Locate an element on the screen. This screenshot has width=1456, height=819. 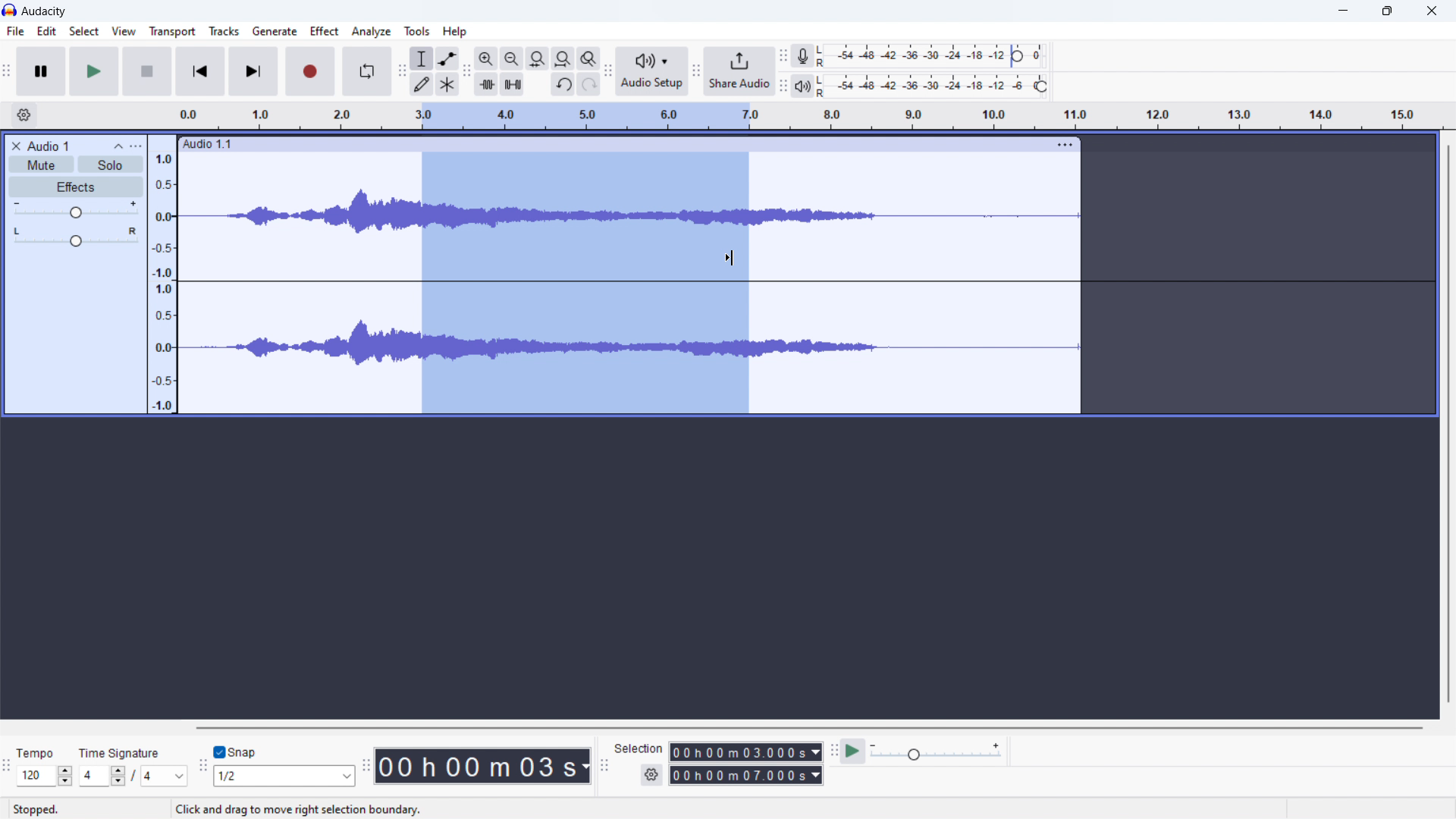
selected audio section of the track is located at coordinates (585, 289).